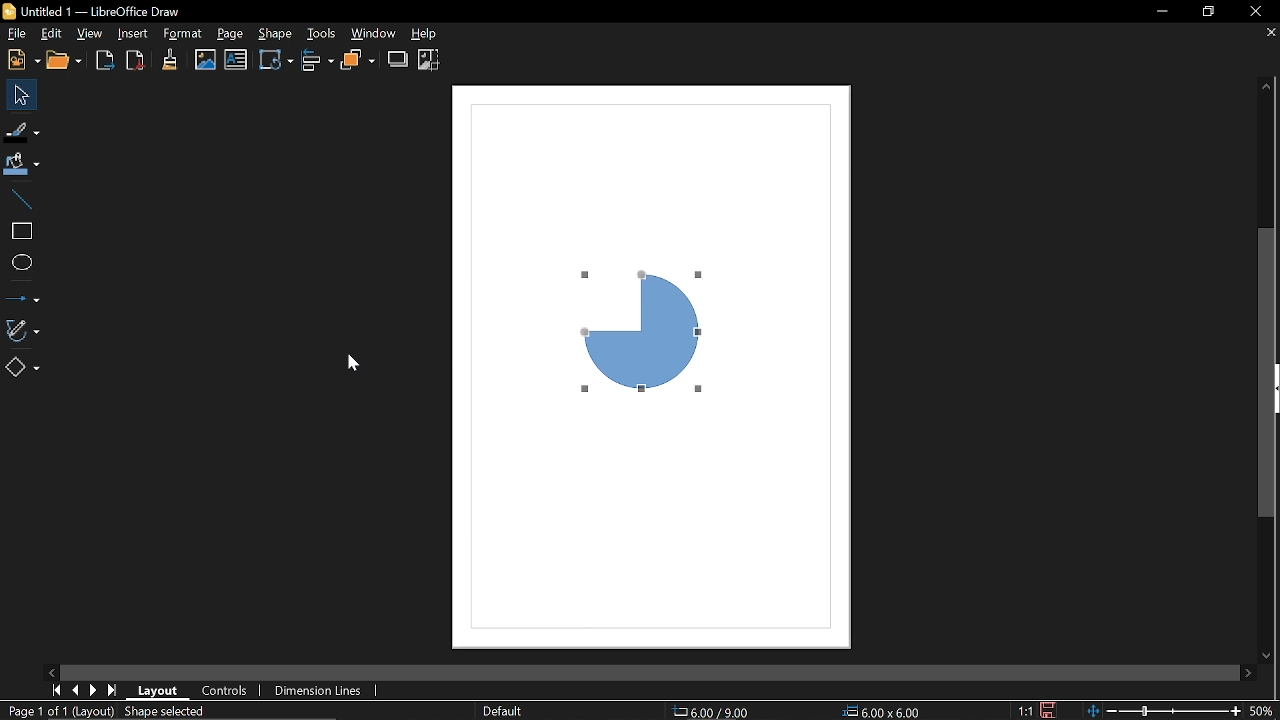  What do you see at coordinates (227, 34) in the screenshot?
I see `Page` at bounding box center [227, 34].